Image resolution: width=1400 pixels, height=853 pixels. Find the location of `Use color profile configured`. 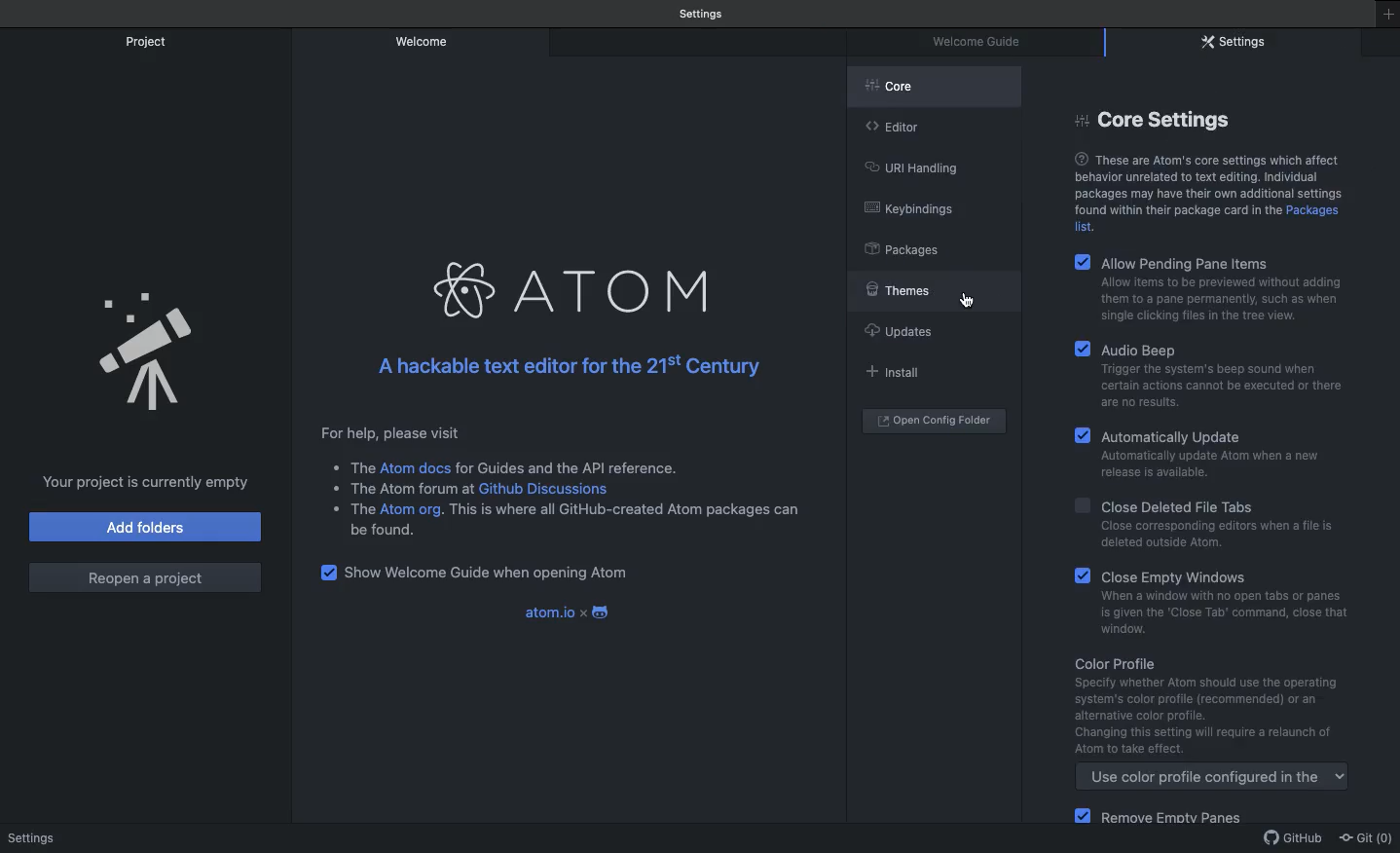

Use color profile configured is located at coordinates (1214, 779).